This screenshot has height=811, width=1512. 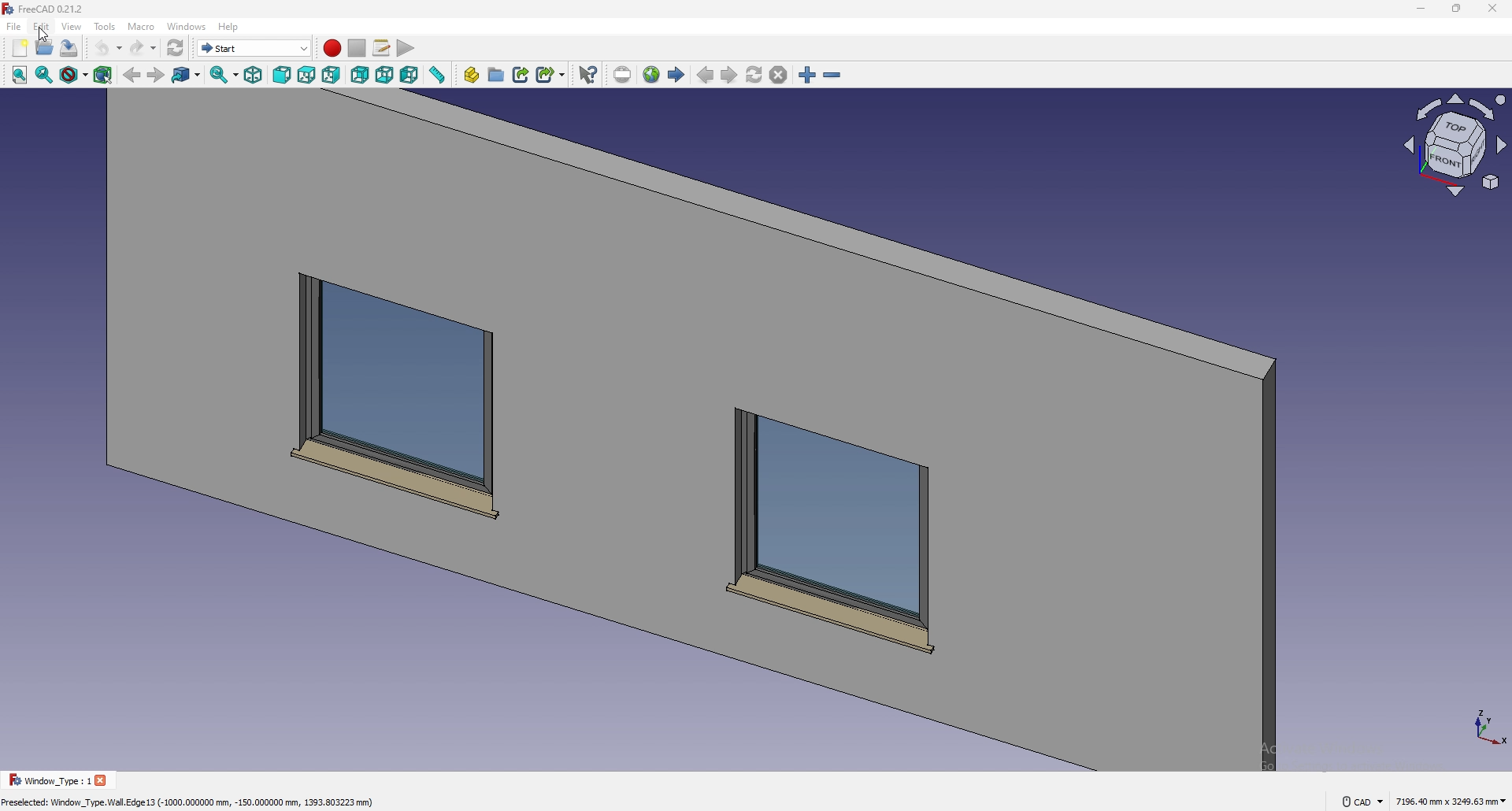 I want to click on preselected: Window_Type.Wal.Edge 13 (-1000.000000 mm, -150.000000 mm, 1393.803223 mm), so click(x=195, y=802).